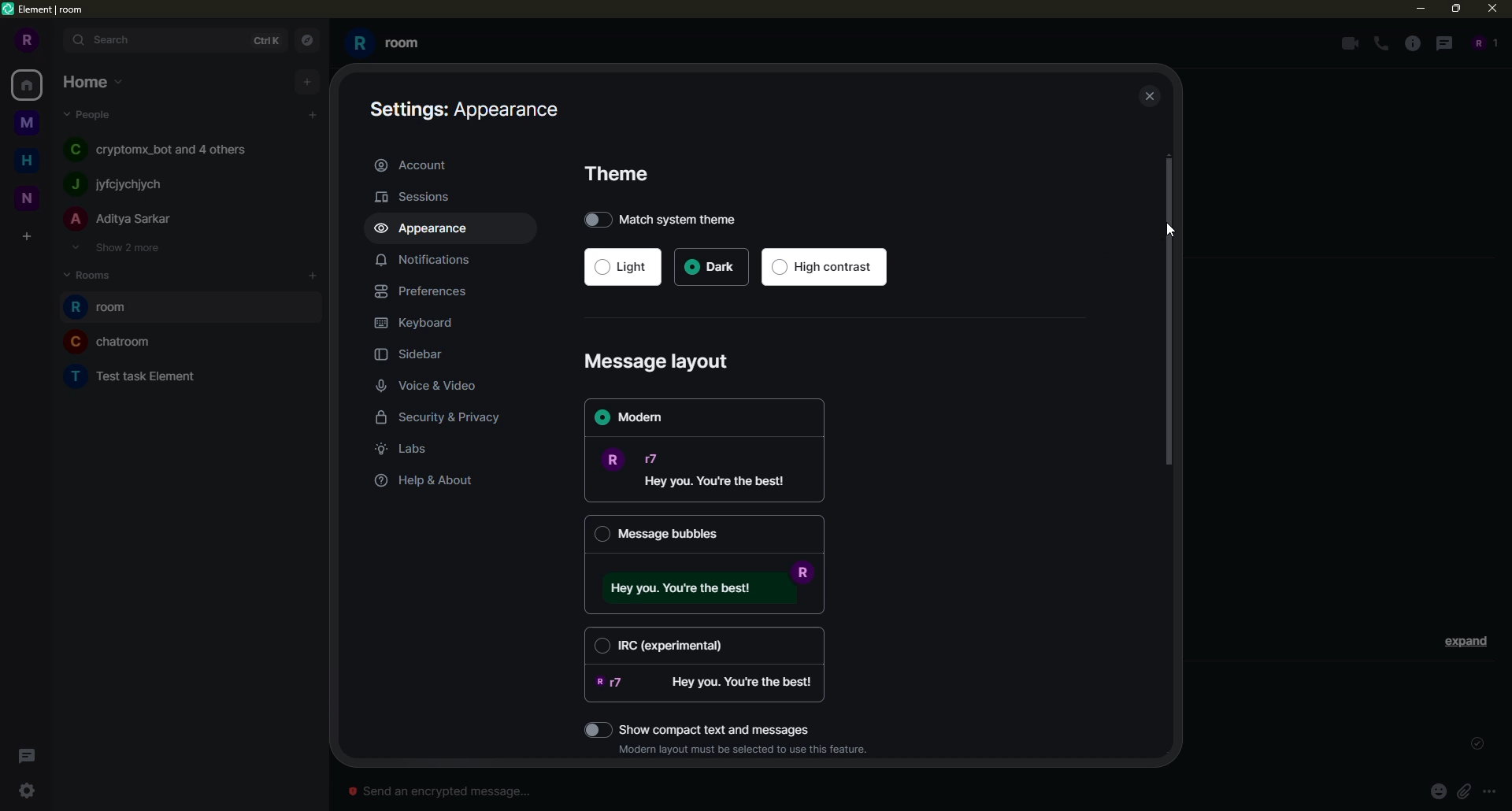 The image size is (1512, 811). I want to click on add, so click(307, 80).